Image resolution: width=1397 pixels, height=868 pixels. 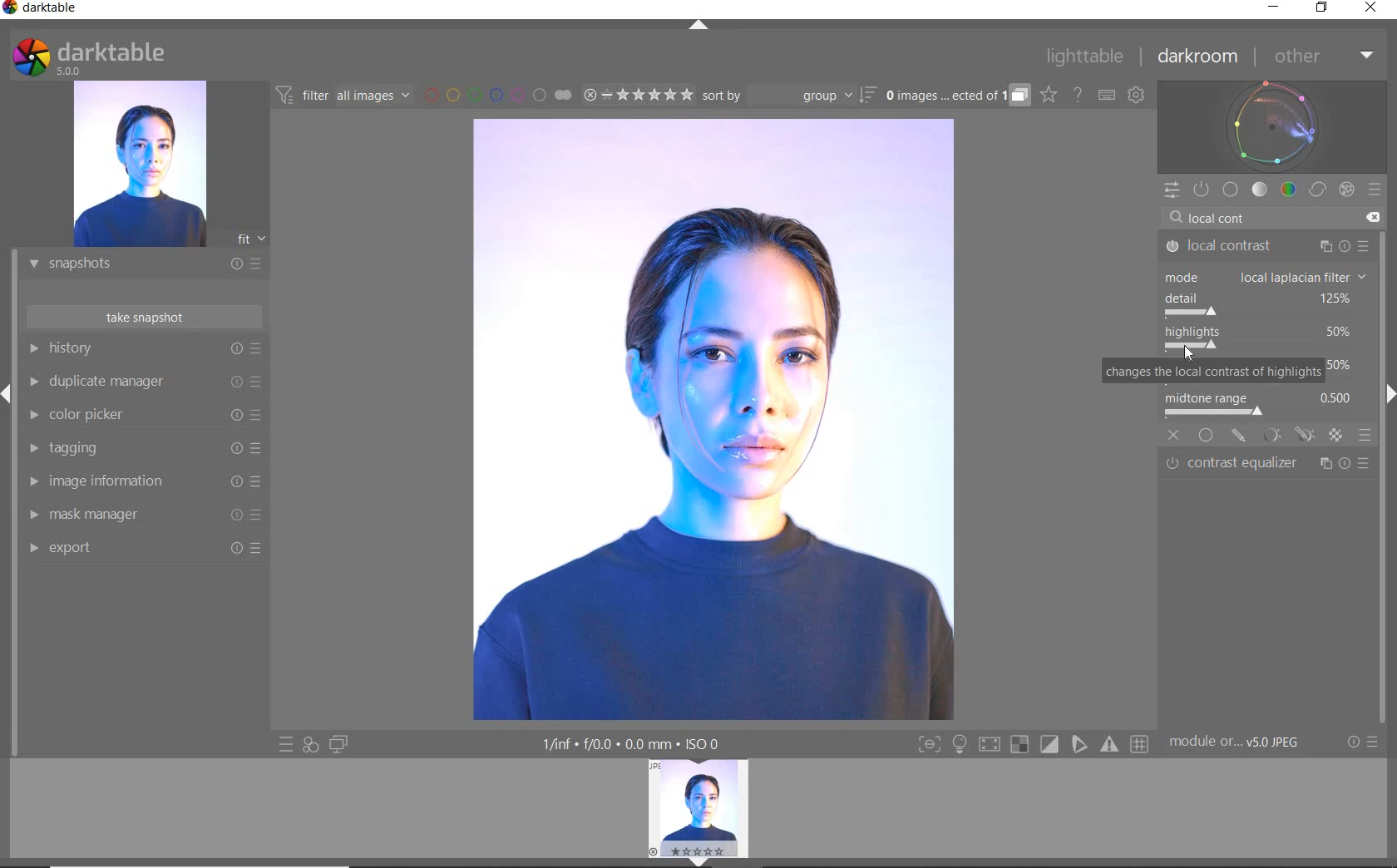 What do you see at coordinates (1322, 57) in the screenshot?
I see `OTHER` at bounding box center [1322, 57].